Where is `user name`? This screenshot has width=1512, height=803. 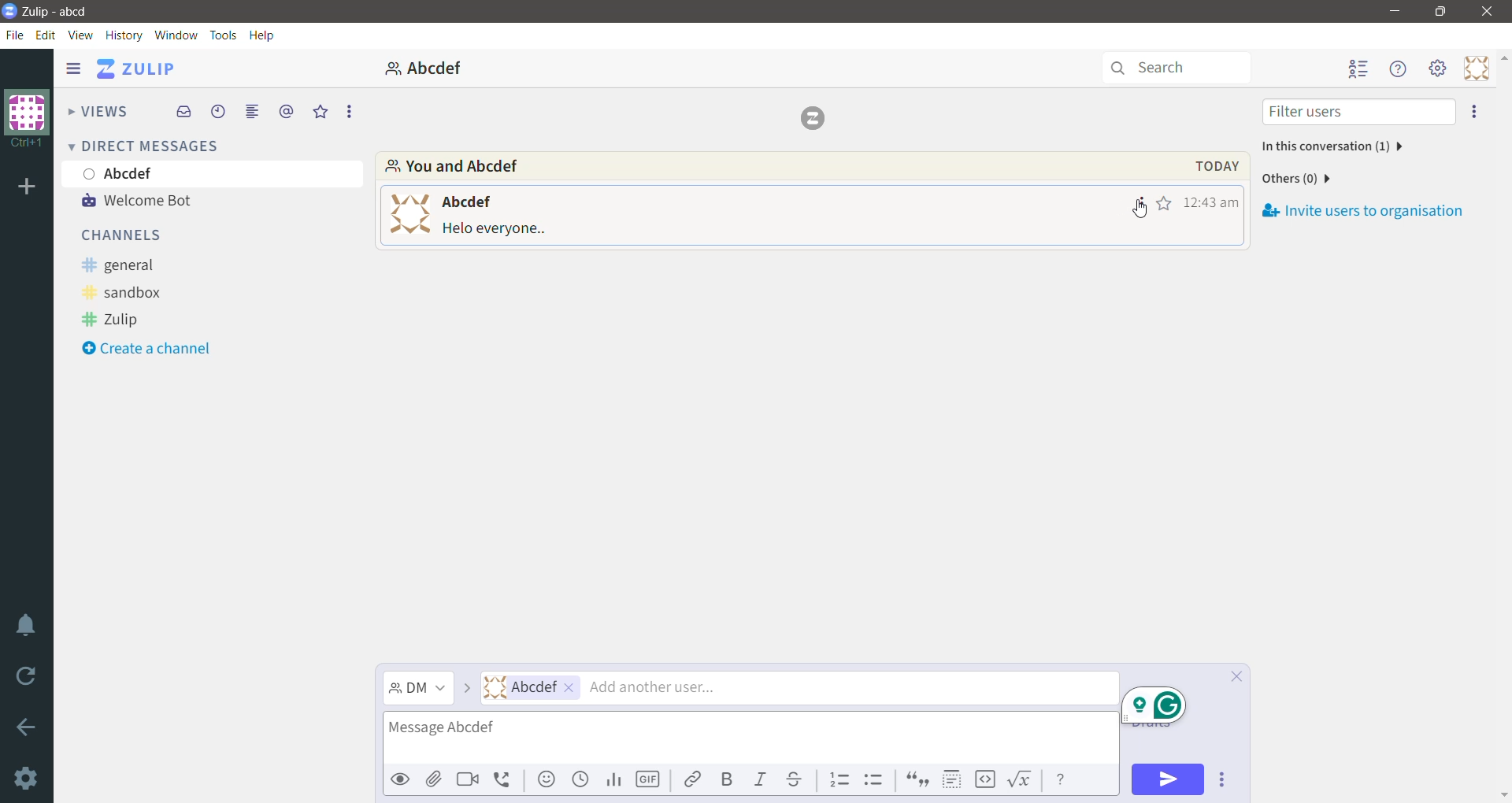
user name is located at coordinates (466, 201).